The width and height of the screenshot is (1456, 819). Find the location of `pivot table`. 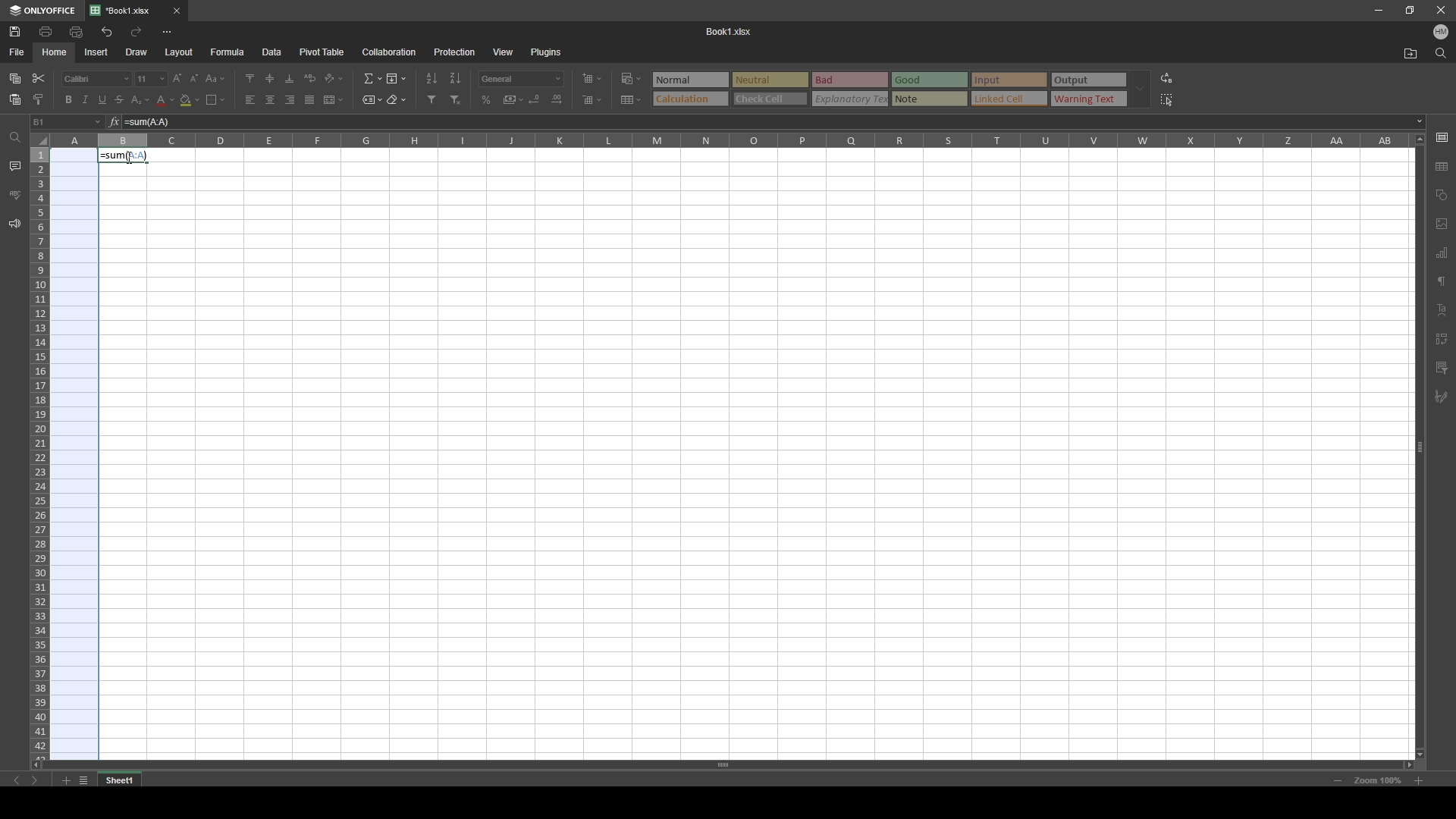

pivot table is located at coordinates (322, 52).